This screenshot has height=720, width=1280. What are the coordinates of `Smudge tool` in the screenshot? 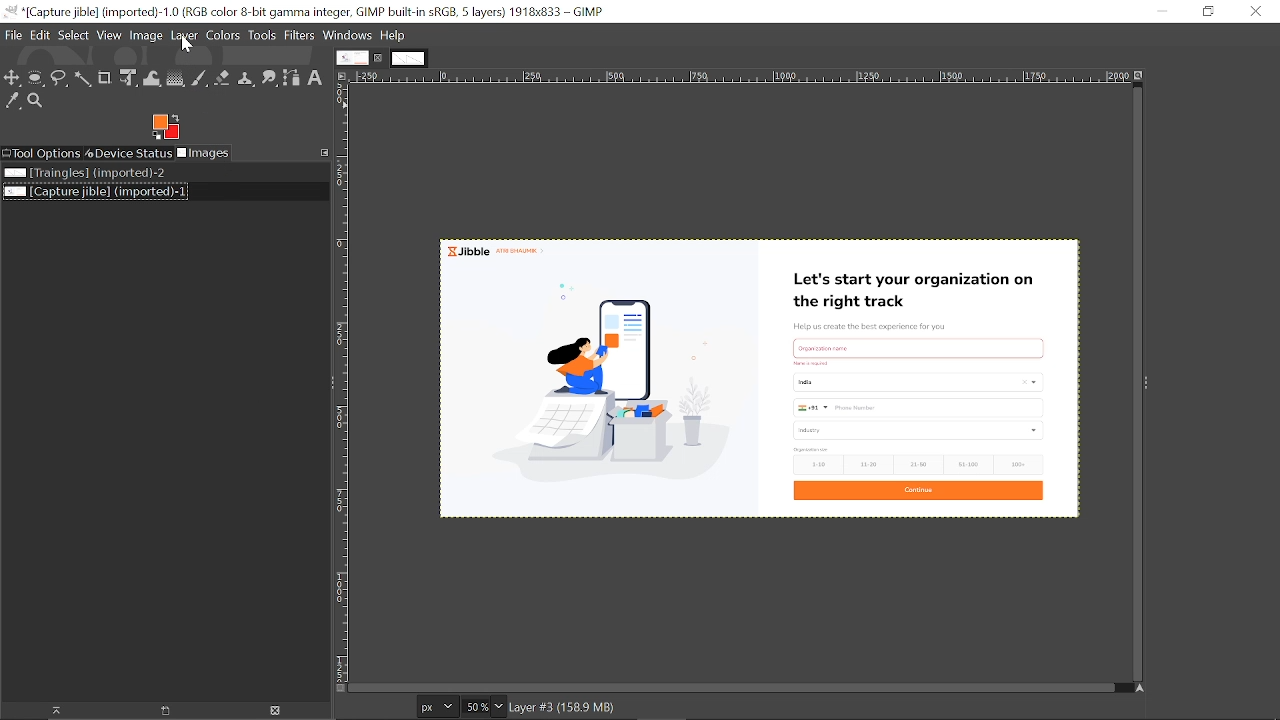 It's located at (270, 77).